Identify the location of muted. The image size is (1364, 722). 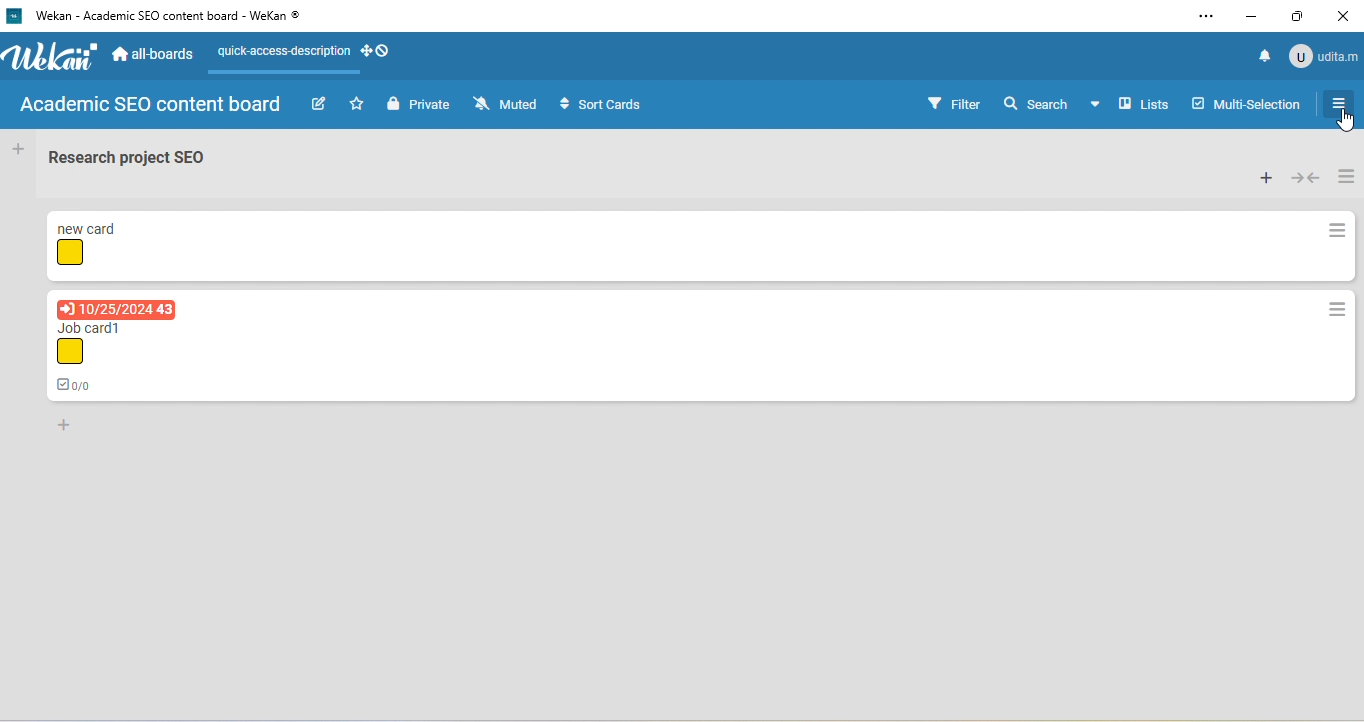
(505, 103).